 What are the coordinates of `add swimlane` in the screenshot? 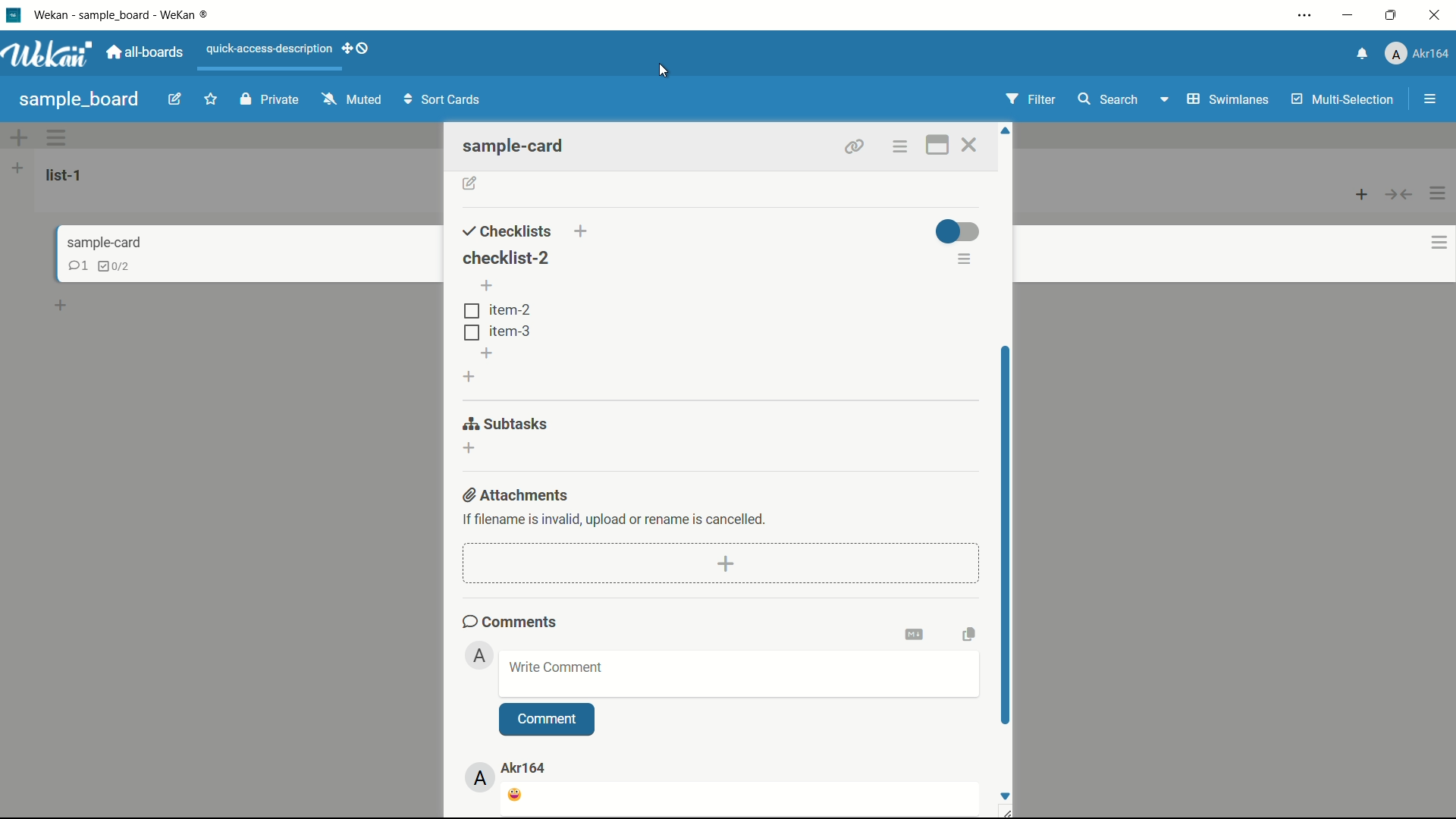 It's located at (20, 137).